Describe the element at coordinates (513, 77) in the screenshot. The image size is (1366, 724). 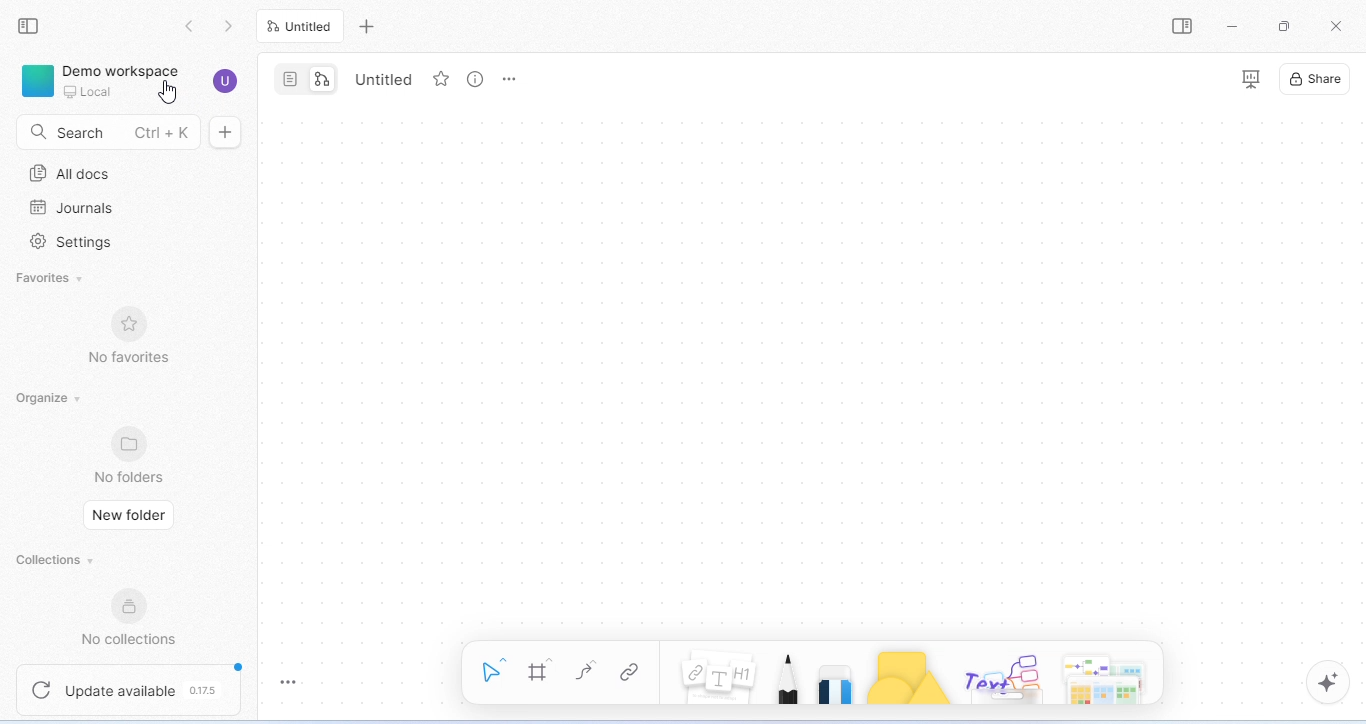
I see `rename and more` at that location.